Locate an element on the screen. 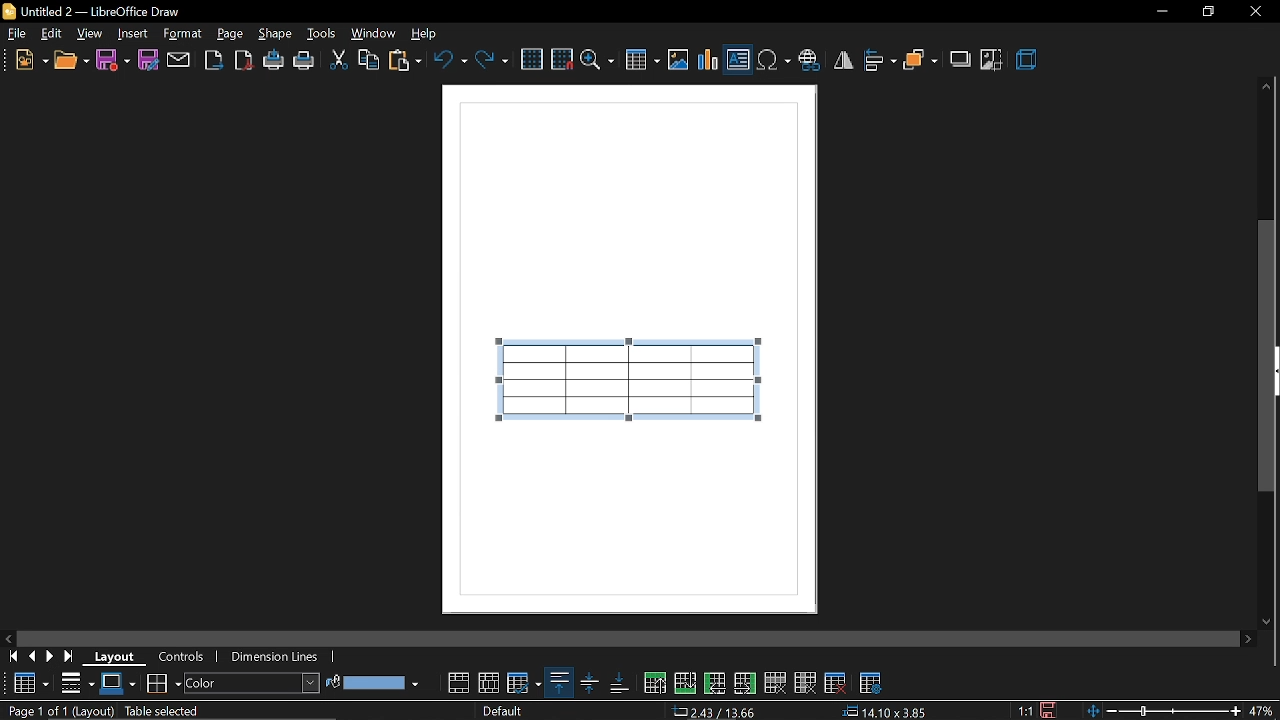  go to first page is located at coordinates (10, 656).